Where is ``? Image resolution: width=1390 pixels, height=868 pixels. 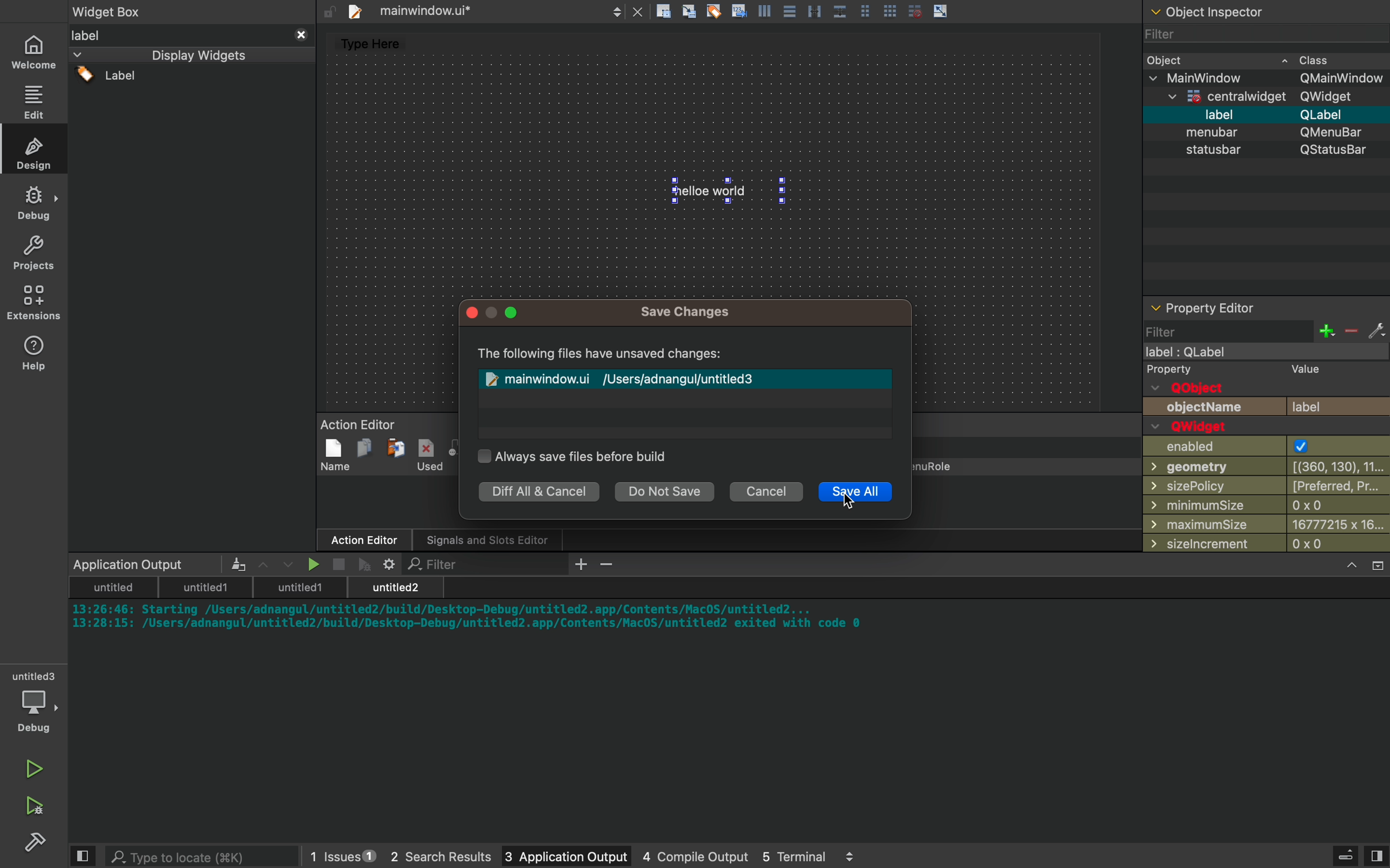  is located at coordinates (1259, 98).